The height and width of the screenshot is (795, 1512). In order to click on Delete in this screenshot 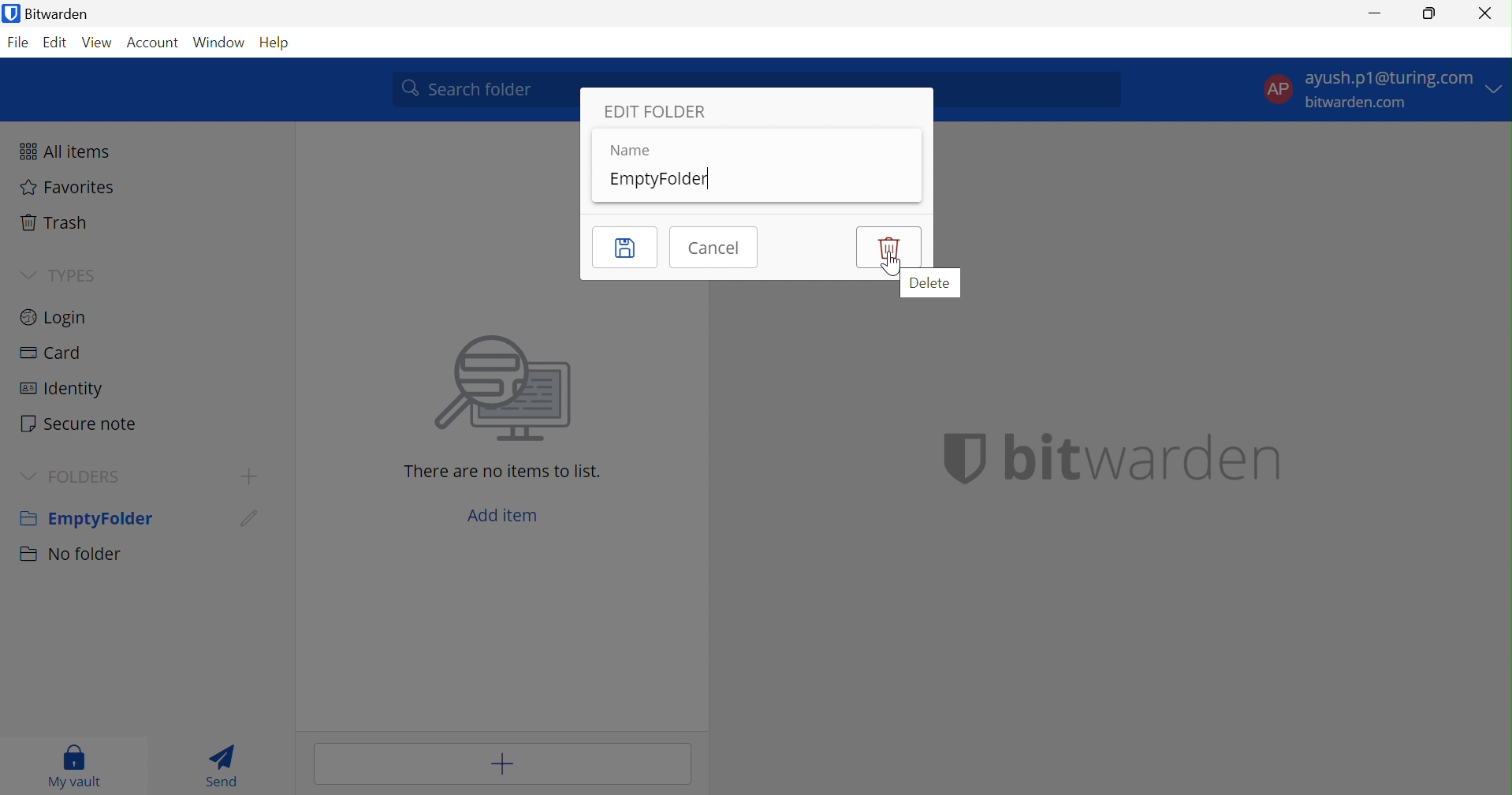, I will do `click(888, 247)`.